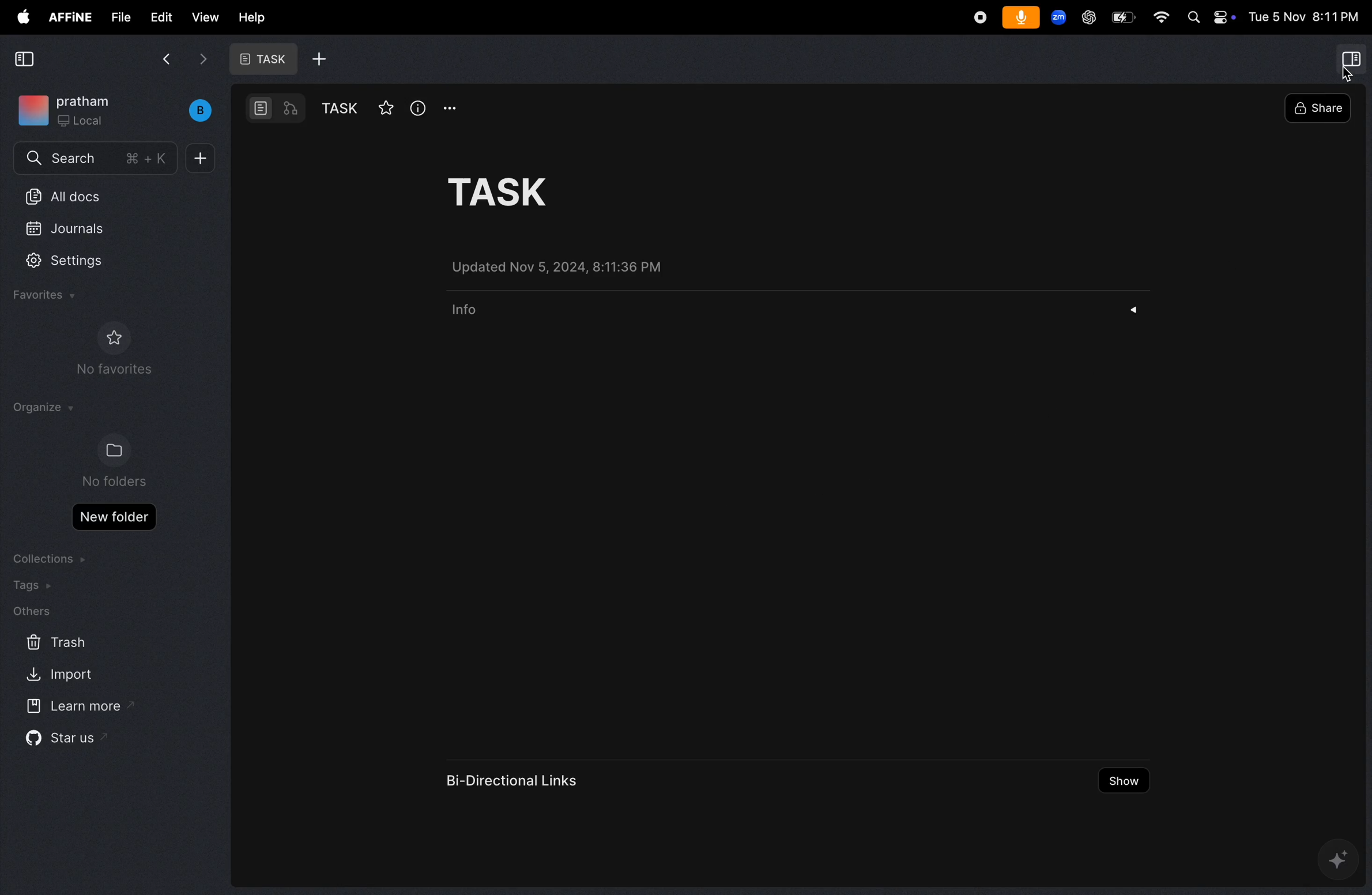  Describe the element at coordinates (114, 517) in the screenshot. I see `new folder` at that location.